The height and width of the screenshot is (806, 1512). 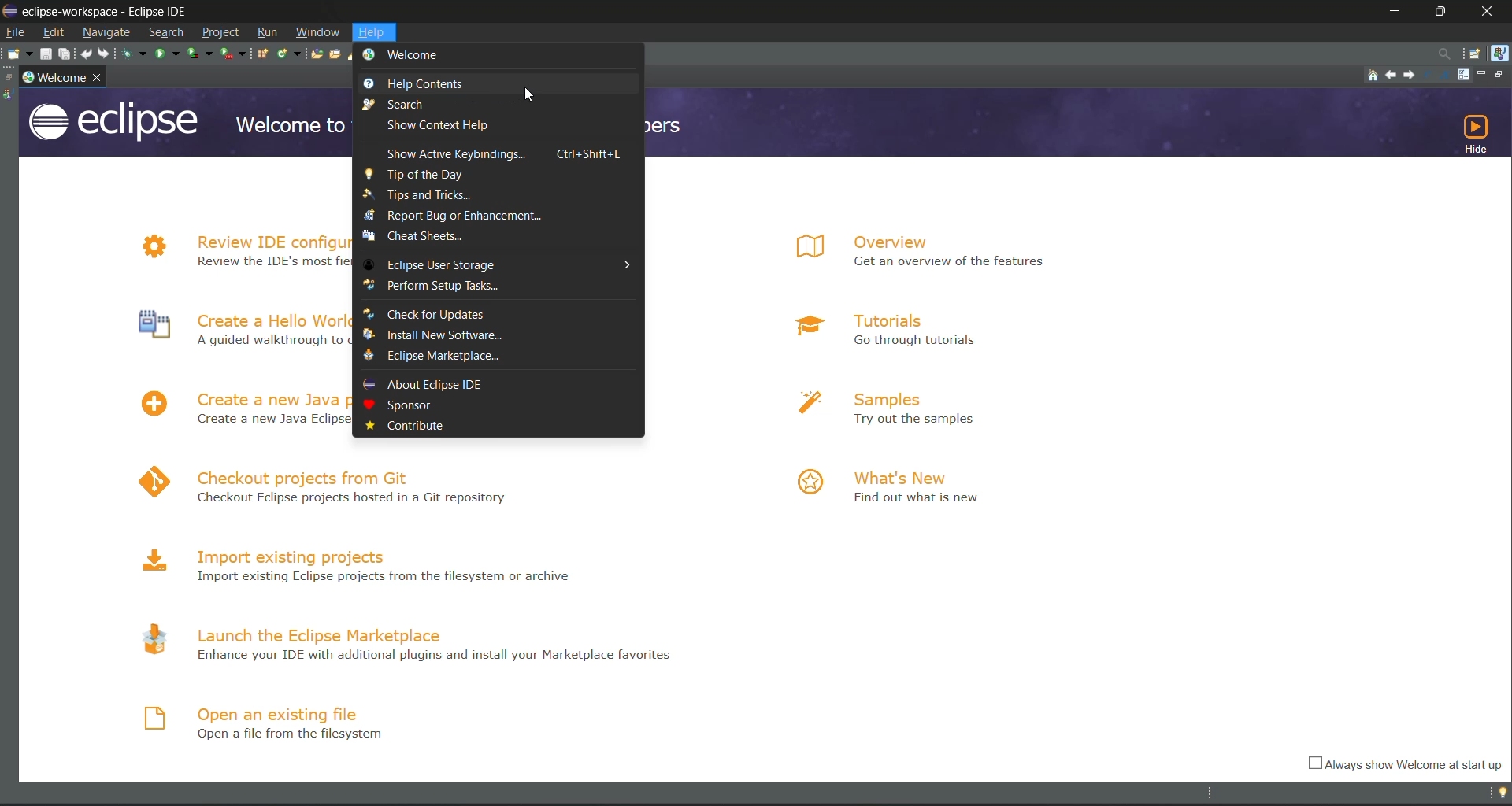 What do you see at coordinates (199, 52) in the screenshot?
I see `coverage` at bounding box center [199, 52].